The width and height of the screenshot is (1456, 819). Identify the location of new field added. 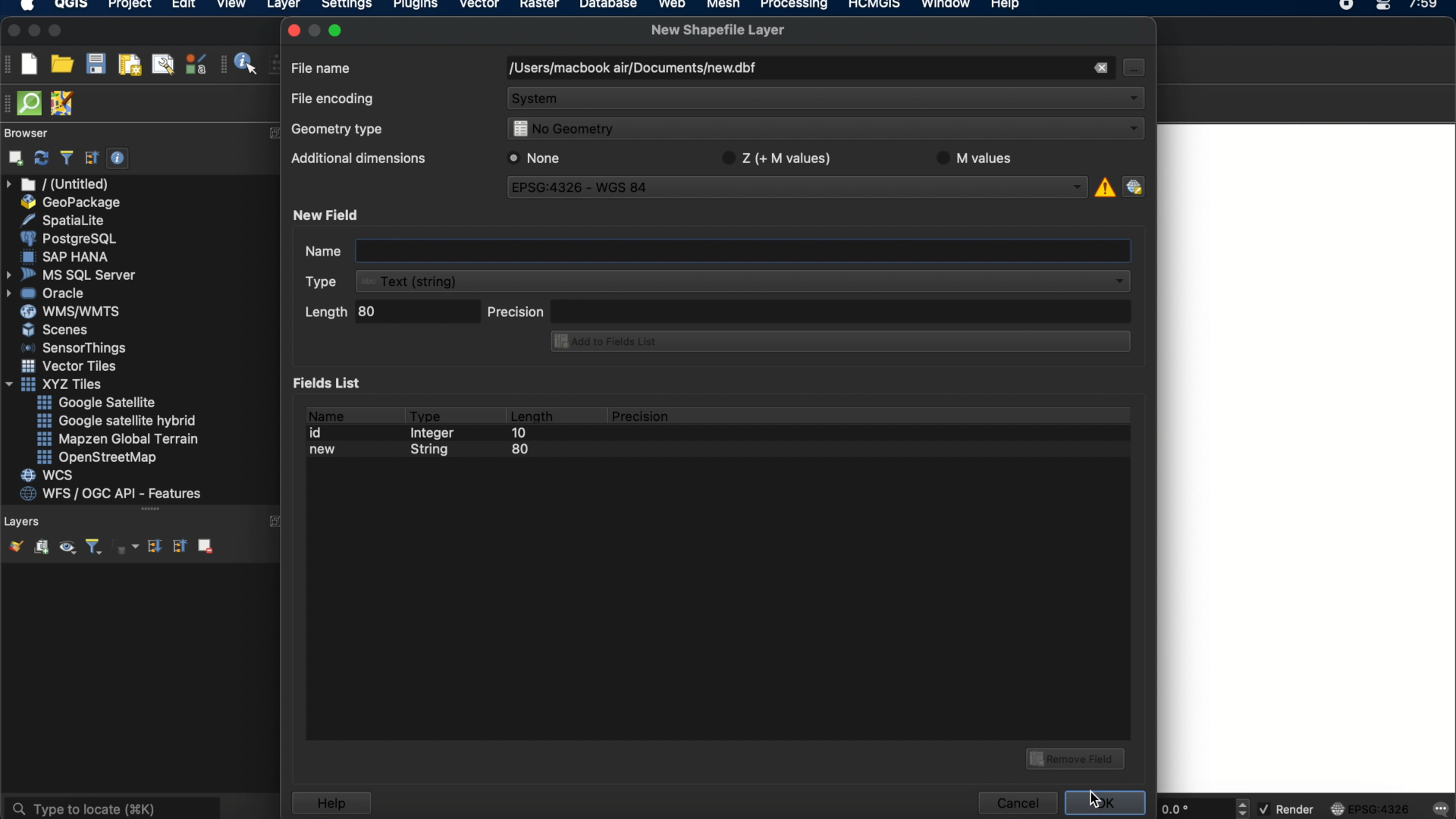
(422, 453).